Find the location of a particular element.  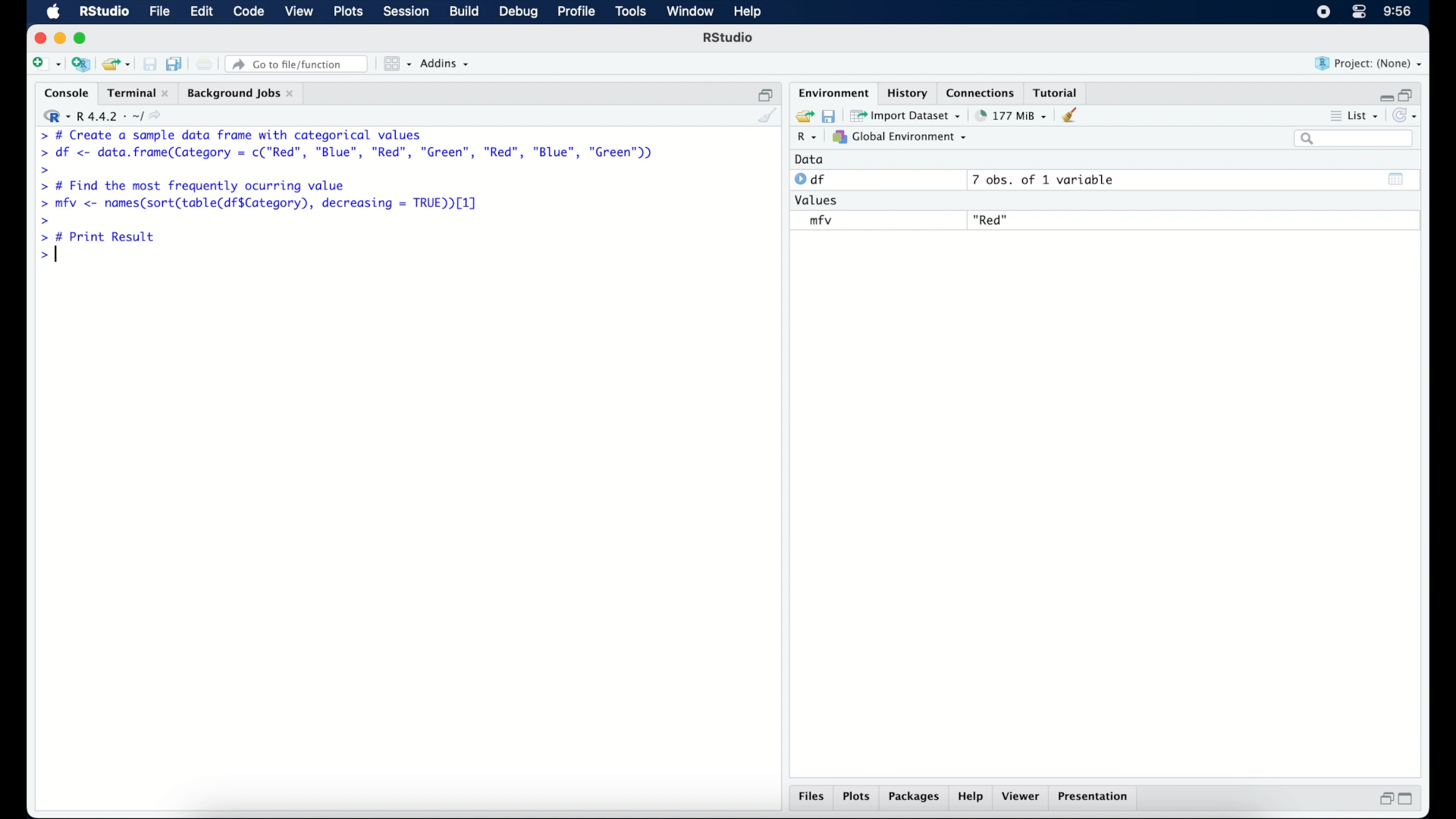

R studio is located at coordinates (104, 12).